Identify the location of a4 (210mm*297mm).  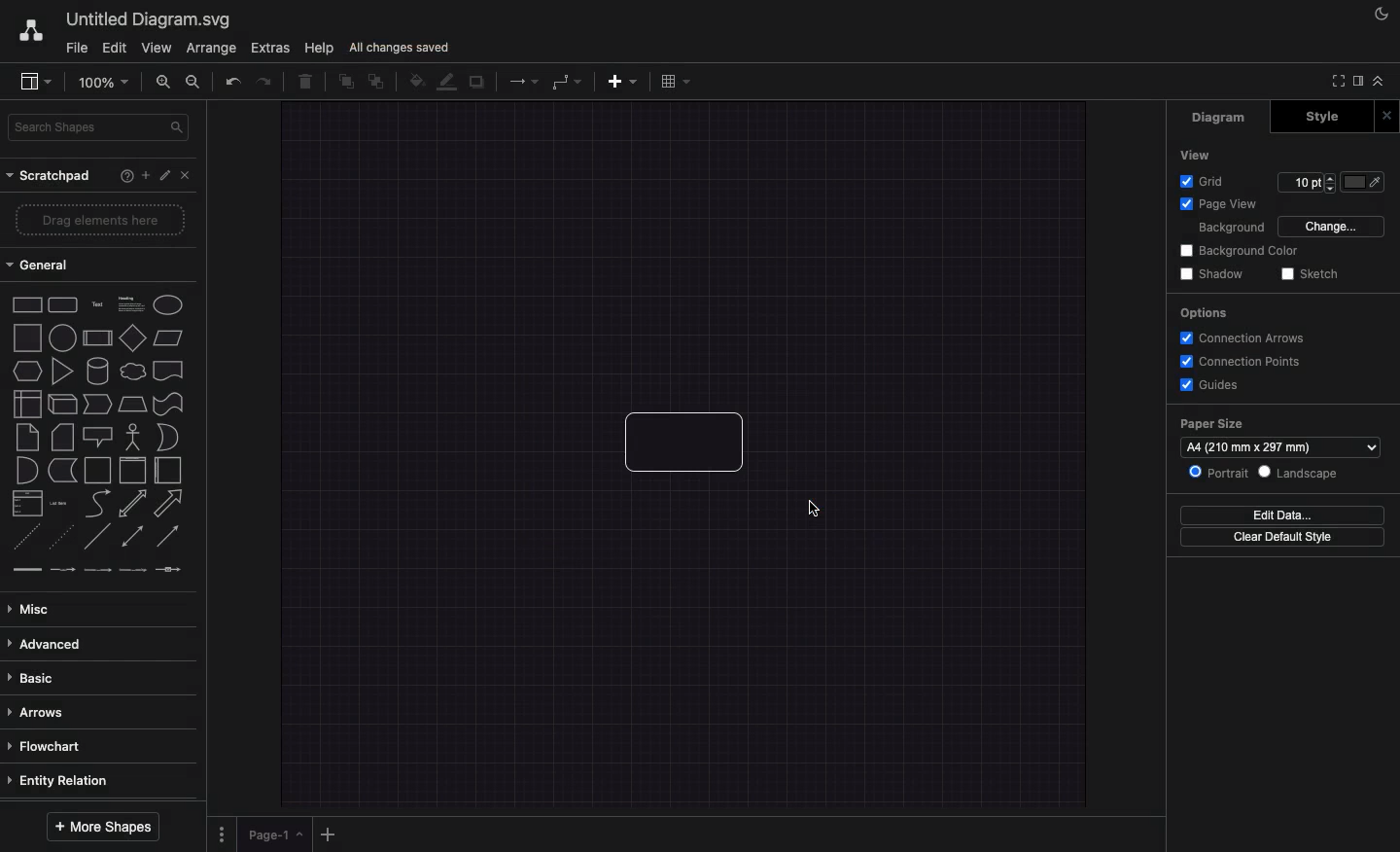
(1253, 445).